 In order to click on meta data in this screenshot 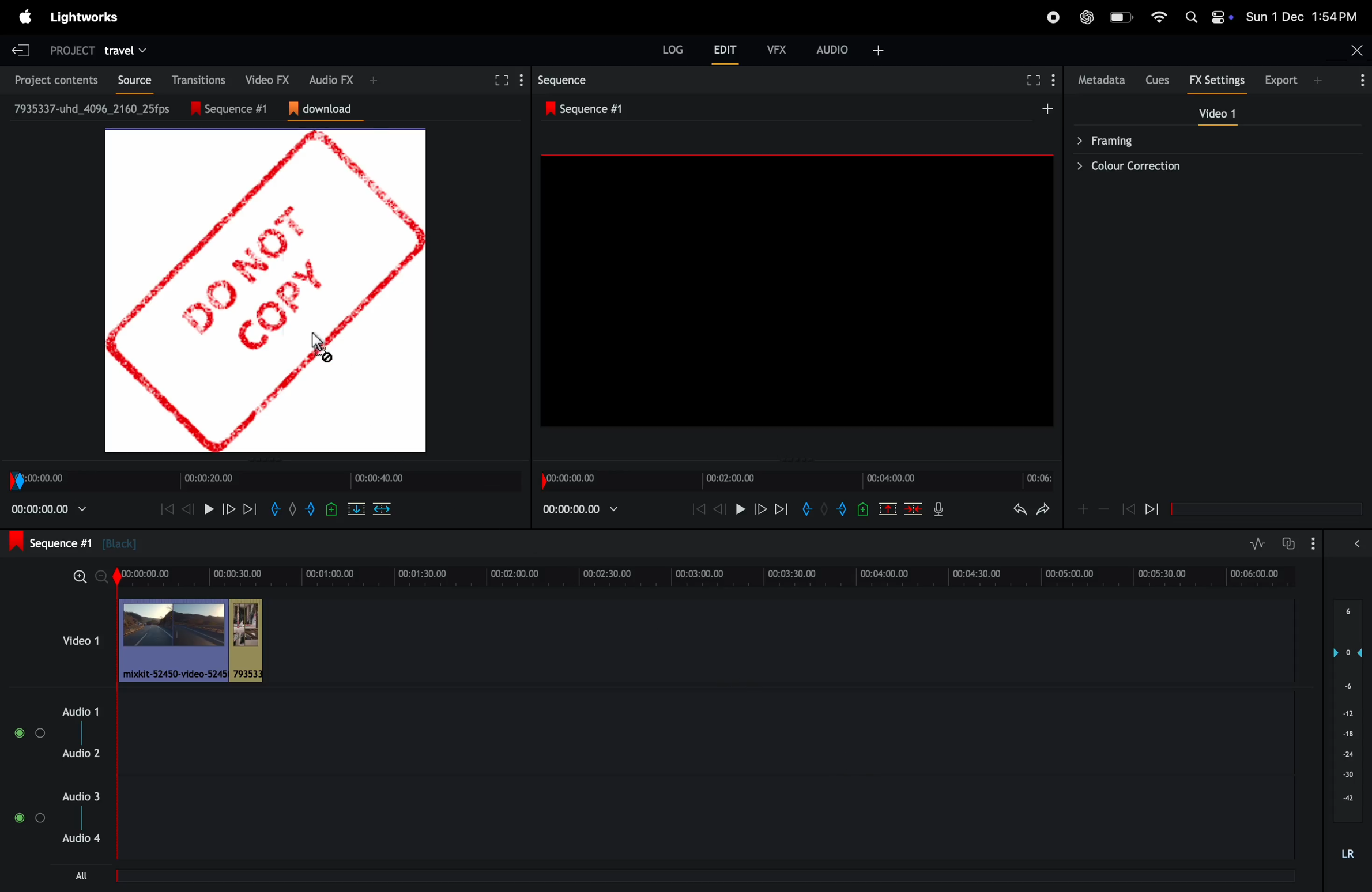, I will do `click(1102, 80)`.